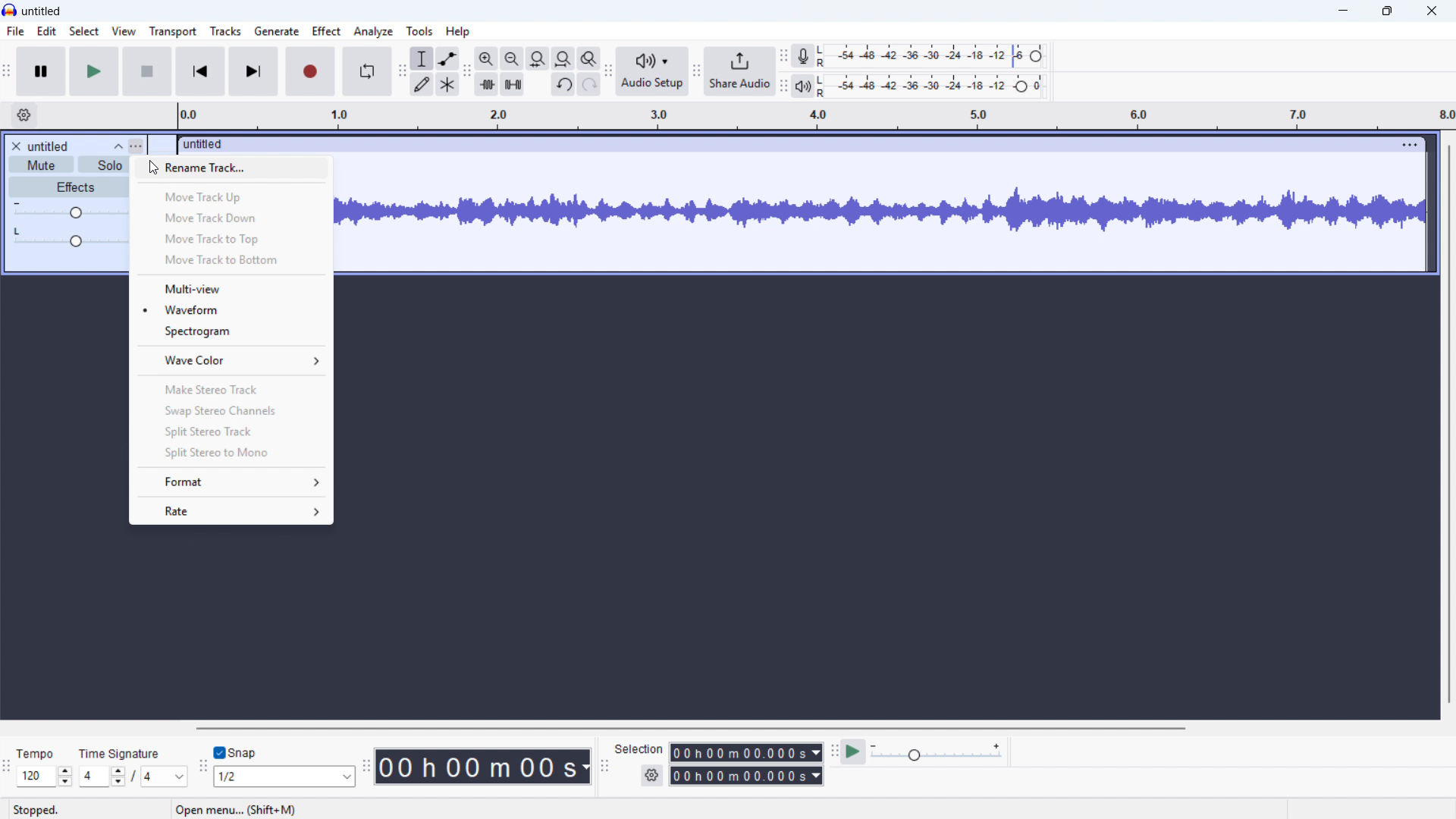 The width and height of the screenshot is (1456, 819). What do you see at coordinates (117, 146) in the screenshot?
I see `Collapse ` at bounding box center [117, 146].